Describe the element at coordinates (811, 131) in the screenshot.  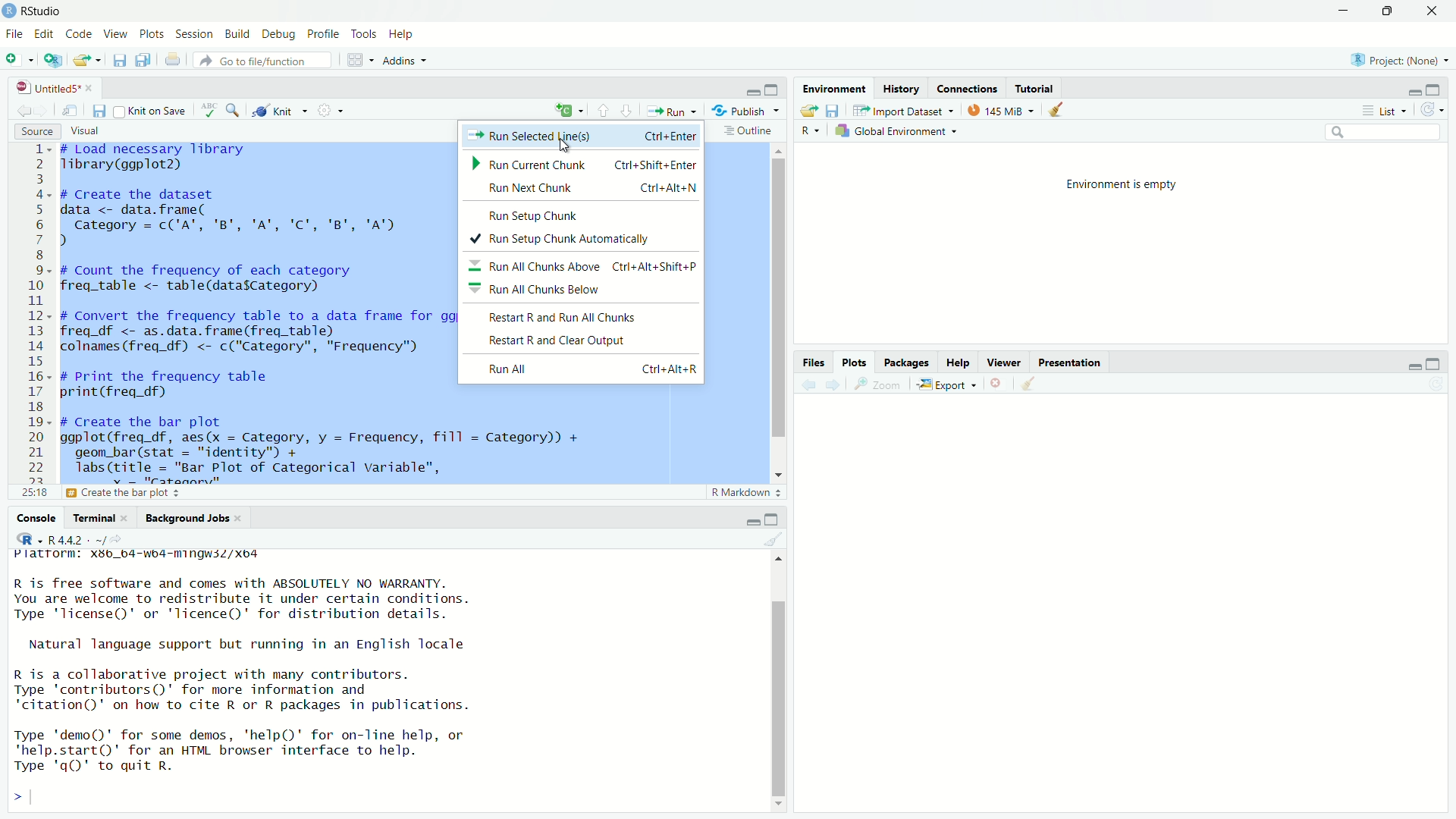
I see `R dropdown` at that location.